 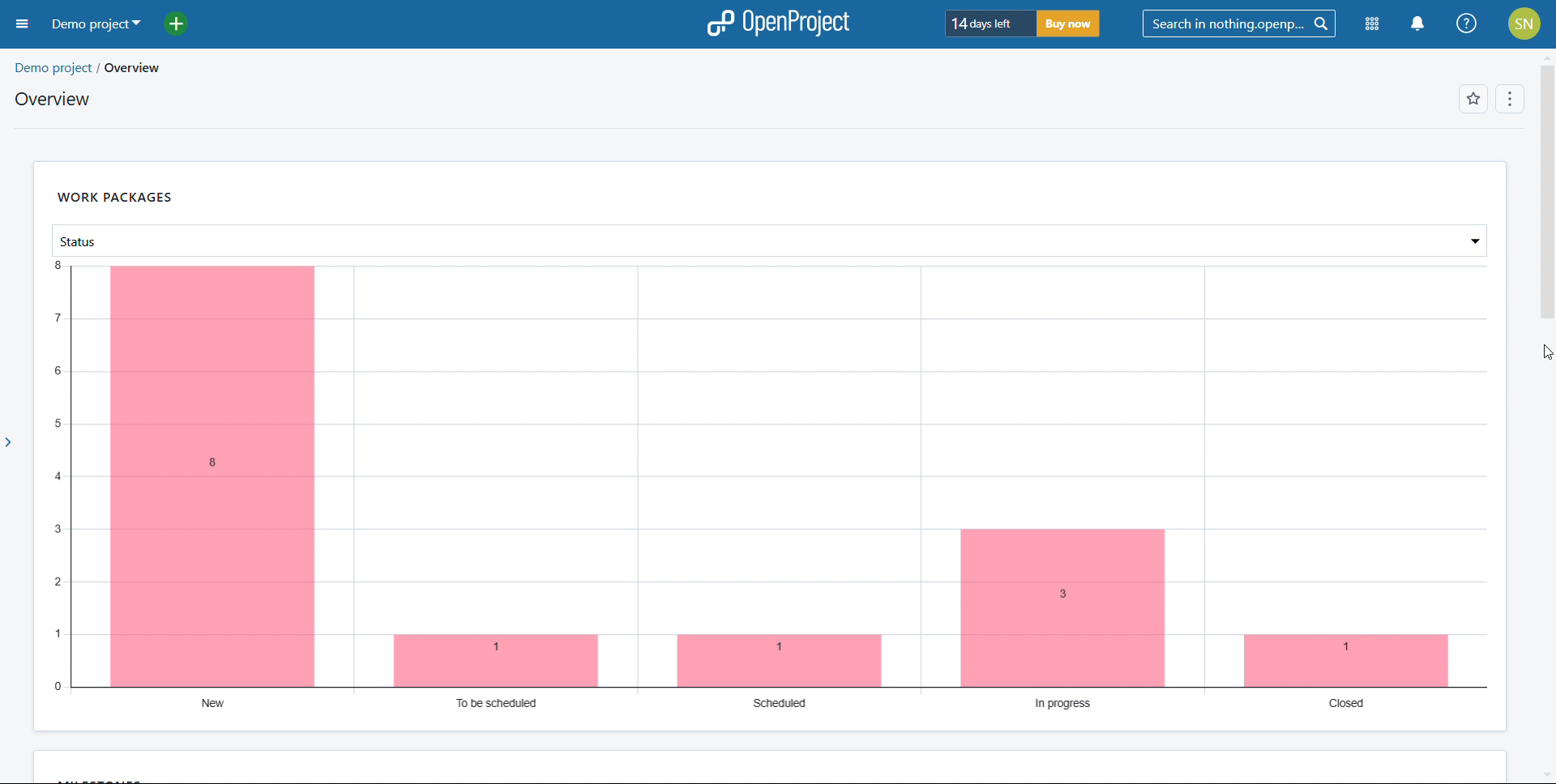 I want to click on work packages, so click(x=115, y=197).